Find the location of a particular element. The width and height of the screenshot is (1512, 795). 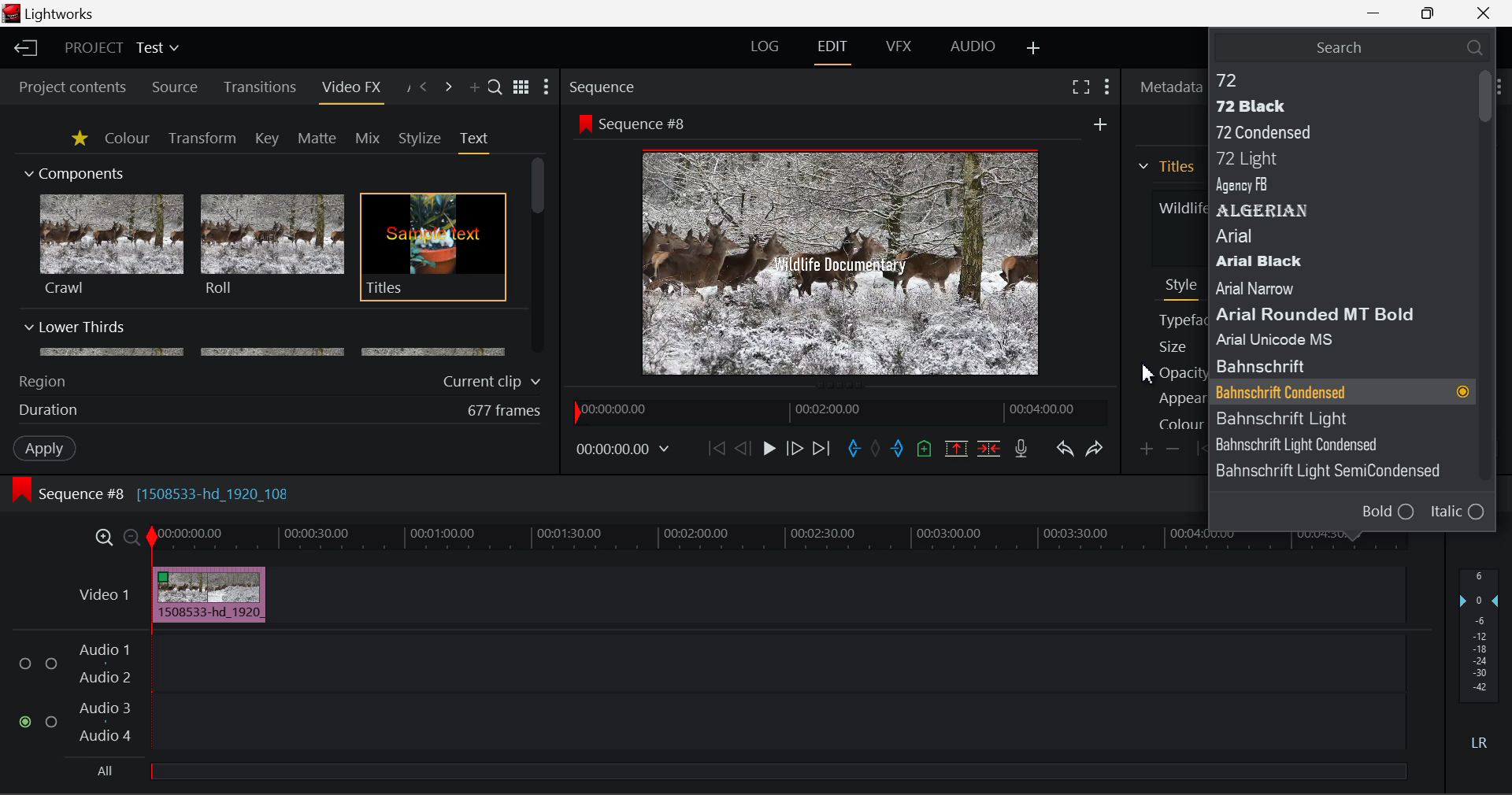

Arial Unicode MS is located at coordinates (1294, 338).